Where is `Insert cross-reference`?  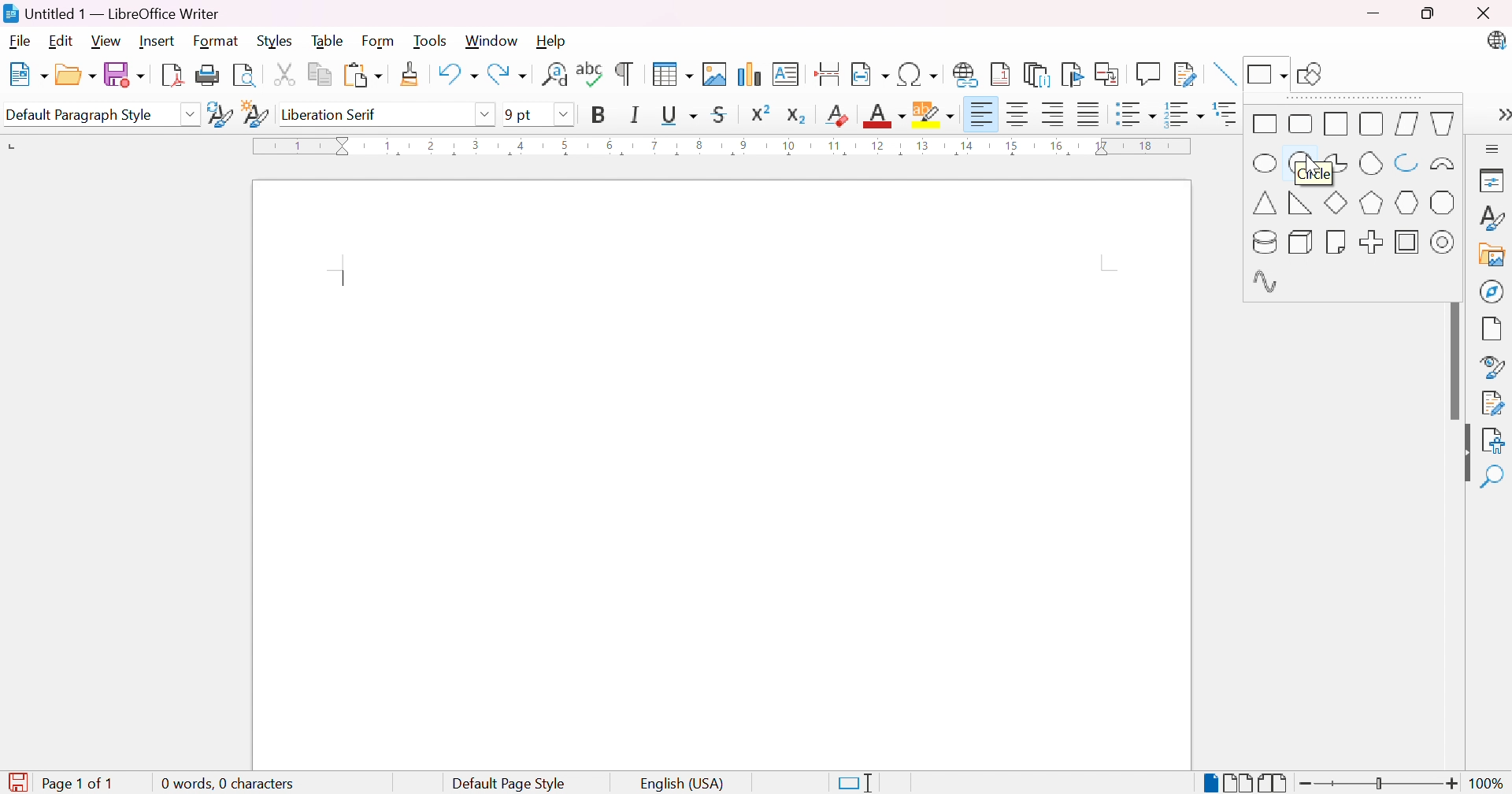
Insert cross-reference is located at coordinates (1110, 76).